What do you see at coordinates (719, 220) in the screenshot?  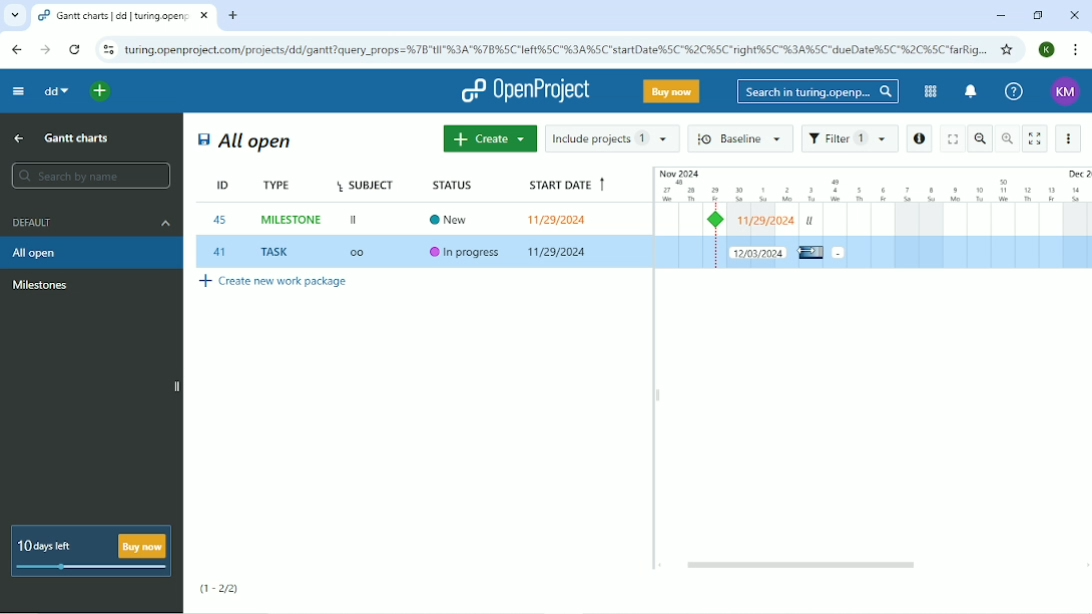 I see `Milestone` at bounding box center [719, 220].